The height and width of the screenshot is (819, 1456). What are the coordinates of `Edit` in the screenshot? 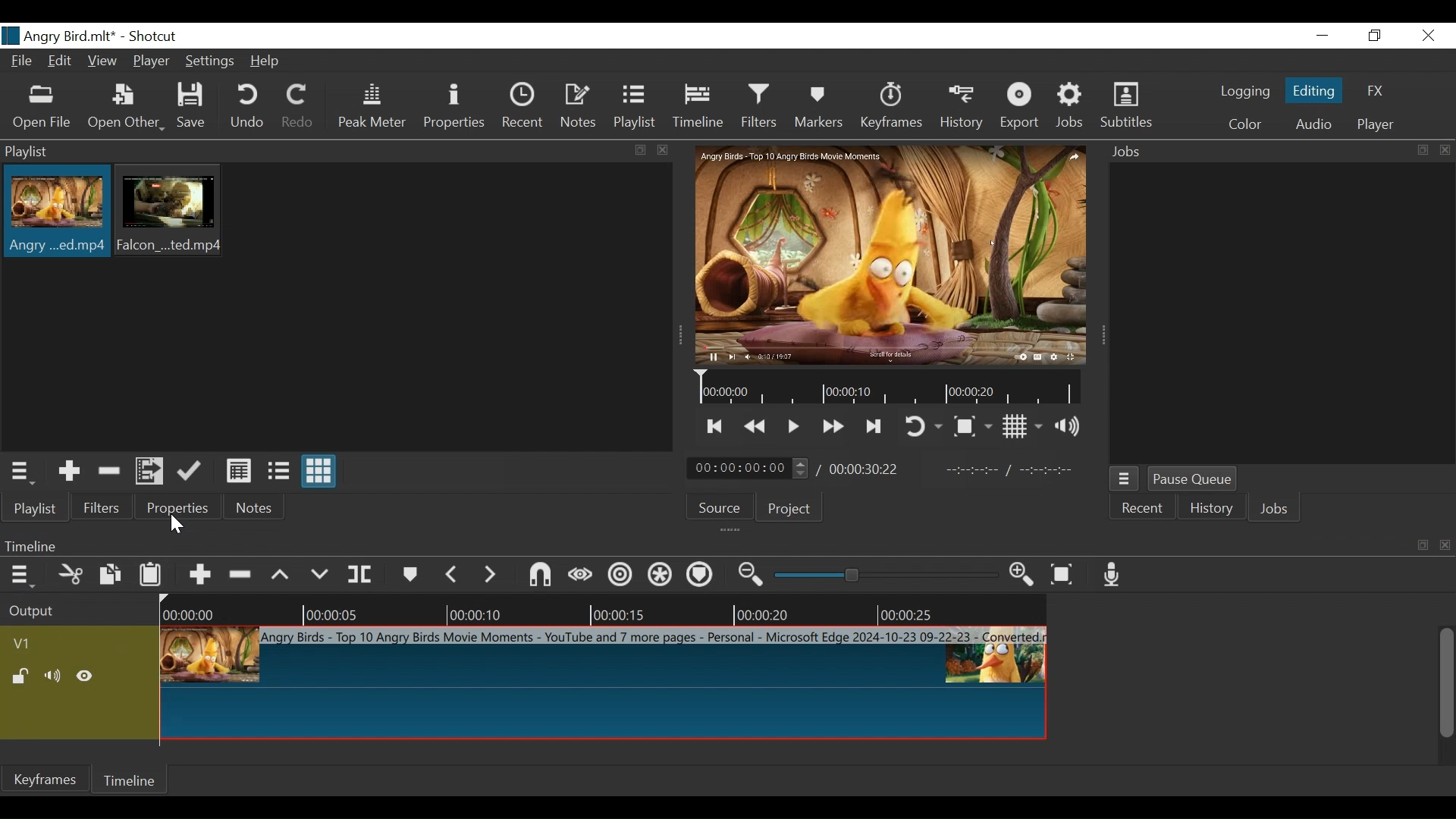 It's located at (62, 61).